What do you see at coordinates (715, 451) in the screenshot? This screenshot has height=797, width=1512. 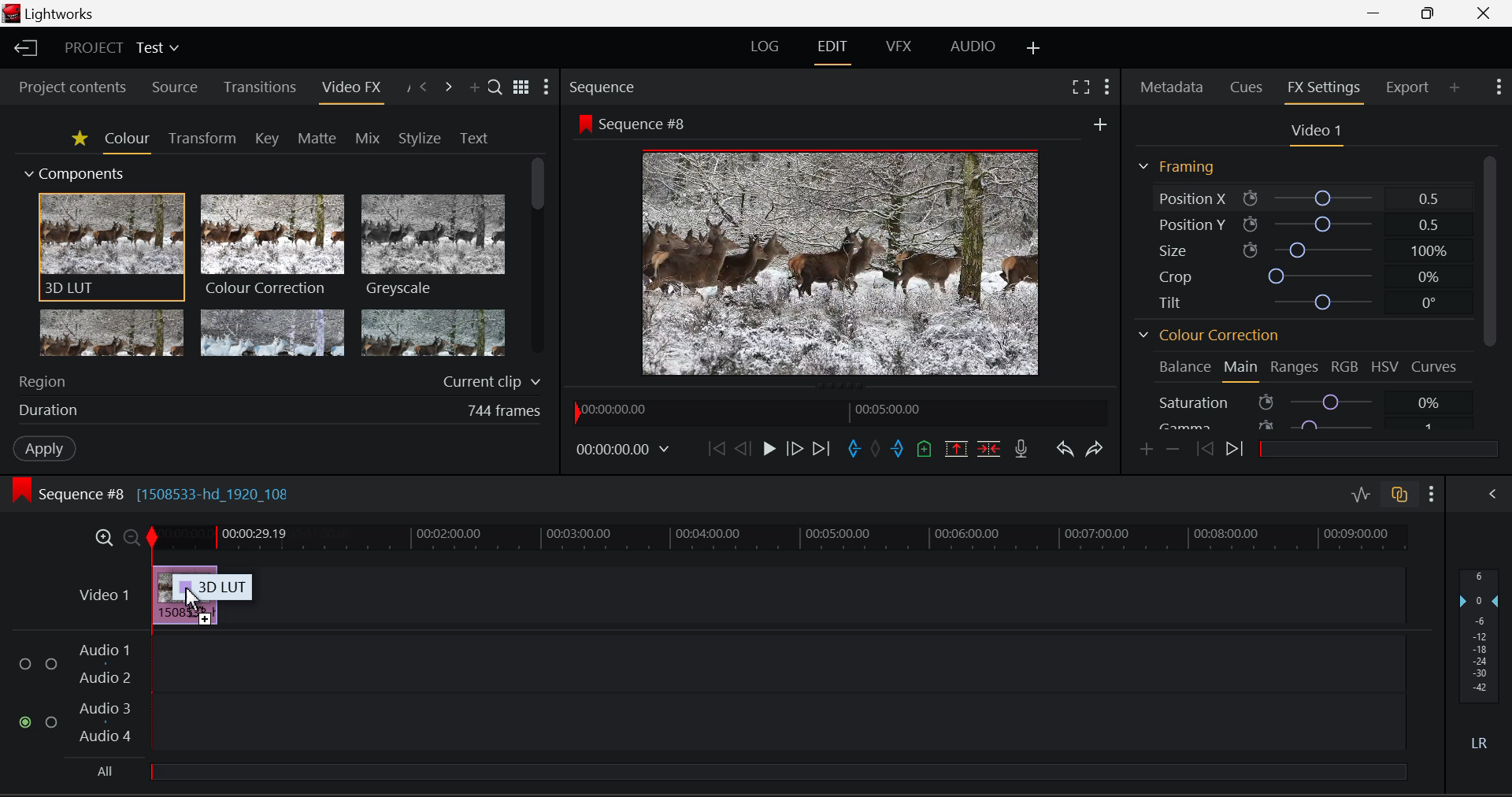 I see `To Start` at bounding box center [715, 451].